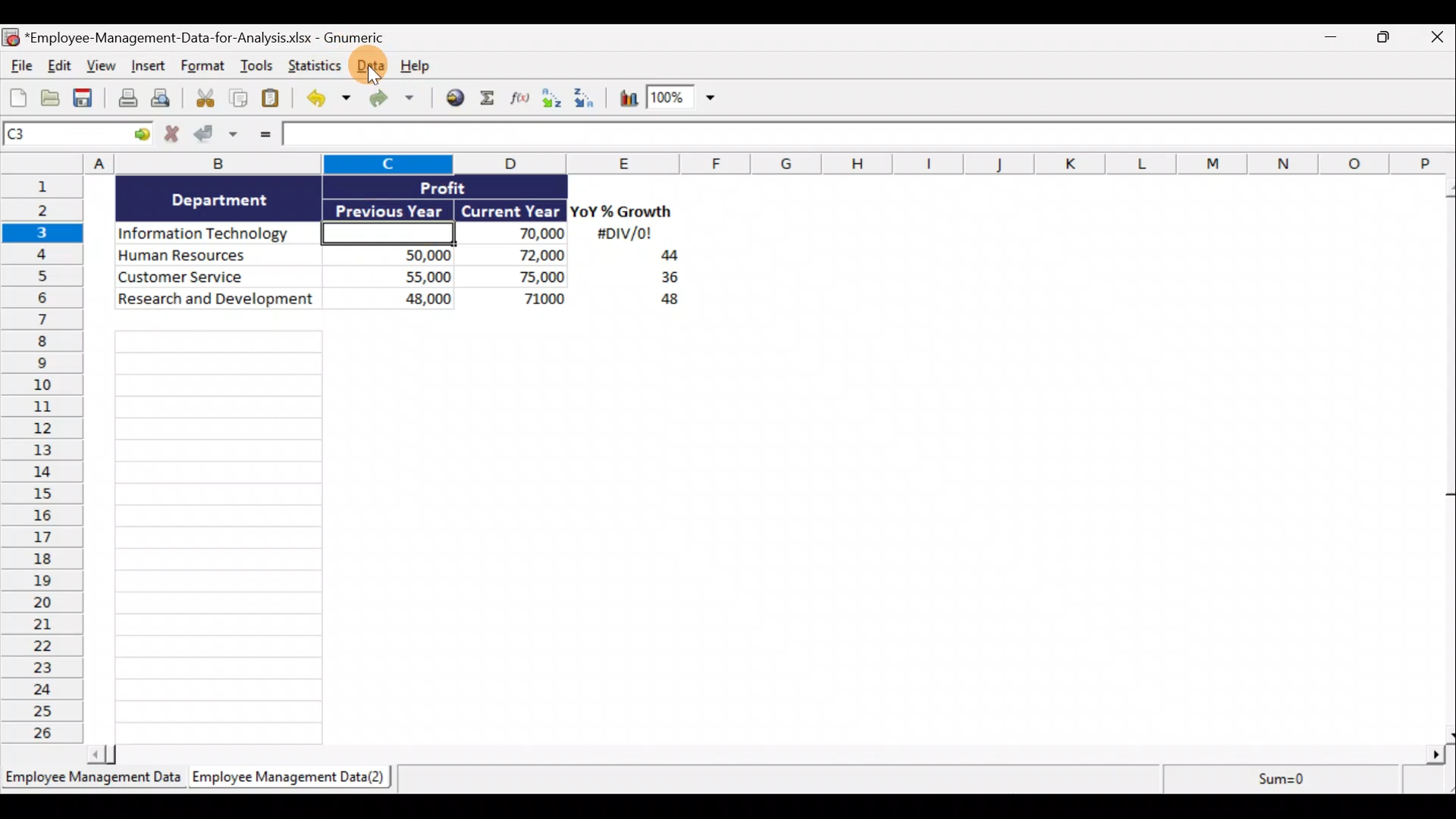 The width and height of the screenshot is (1456, 819). I want to click on Cancel changes, so click(172, 136).